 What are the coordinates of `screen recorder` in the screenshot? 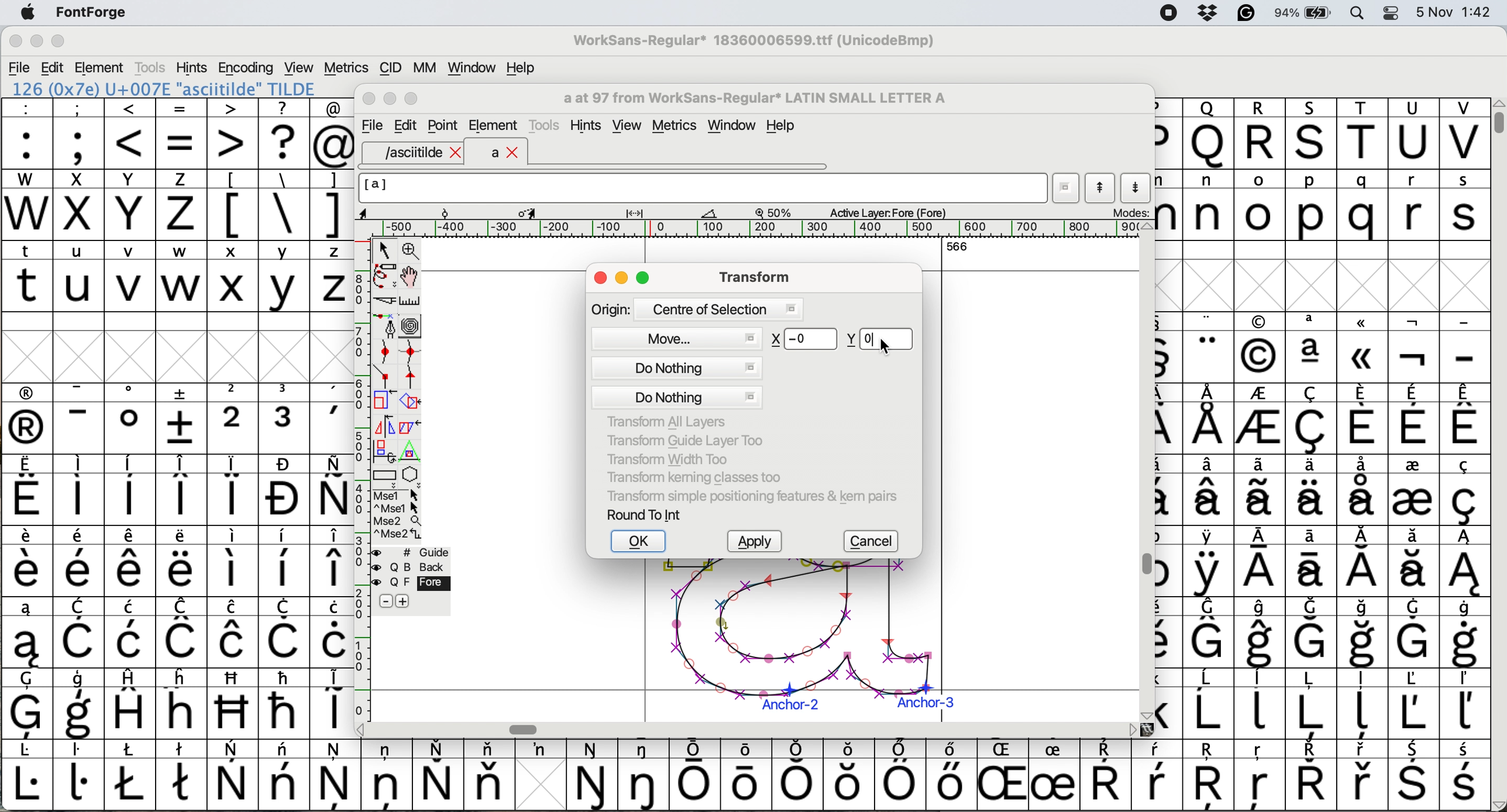 It's located at (1167, 14).